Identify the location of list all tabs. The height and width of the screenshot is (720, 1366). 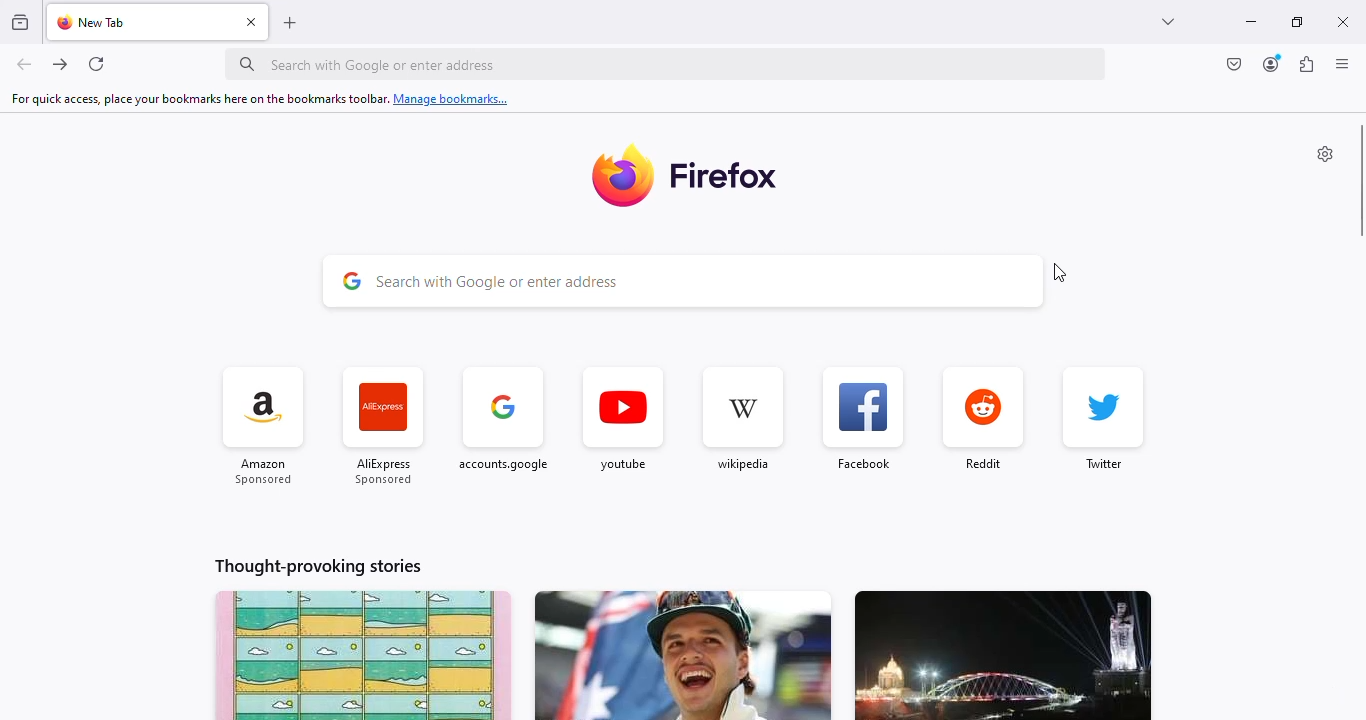
(1170, 22).